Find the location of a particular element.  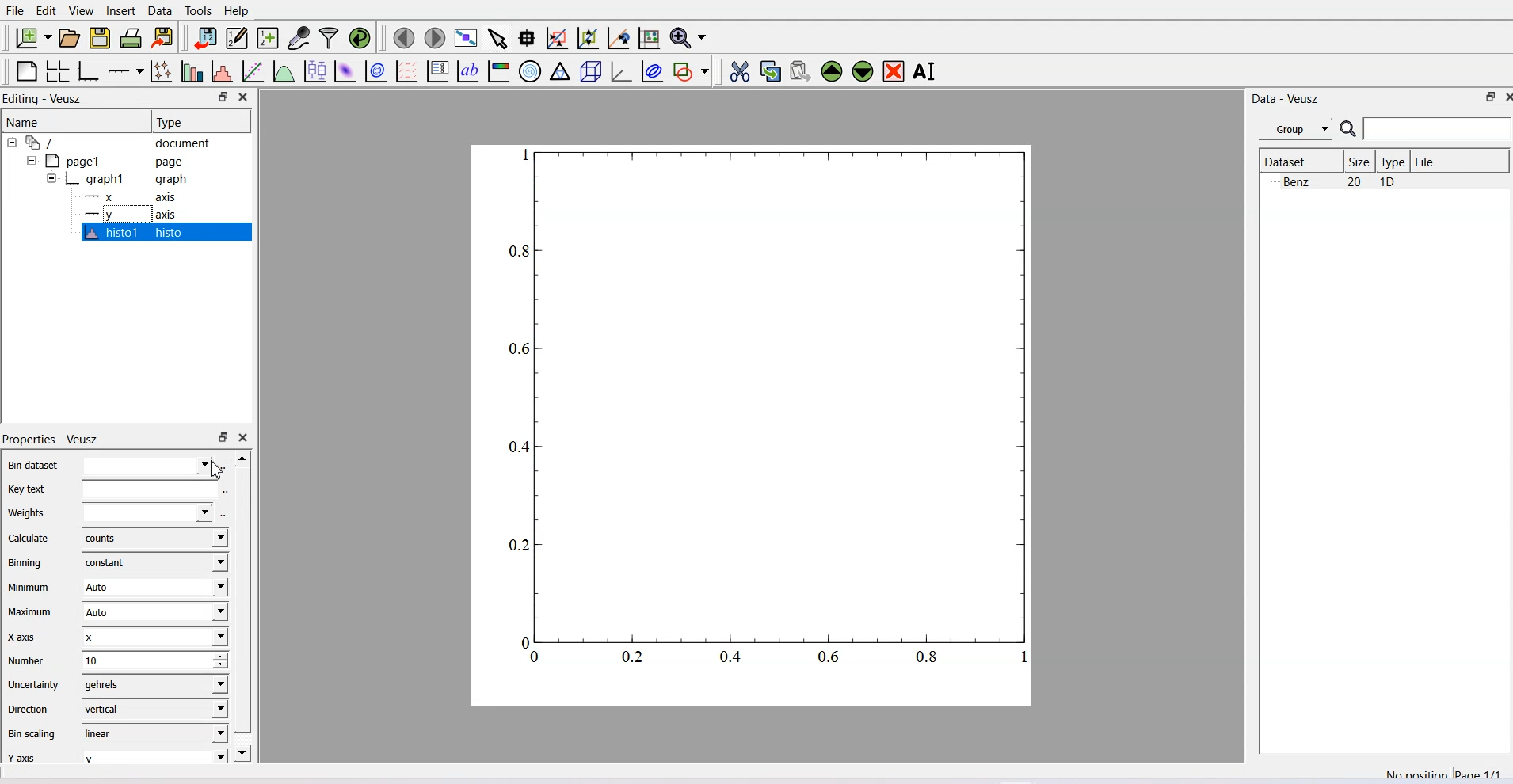

Close is located at coordinates (246, 97).